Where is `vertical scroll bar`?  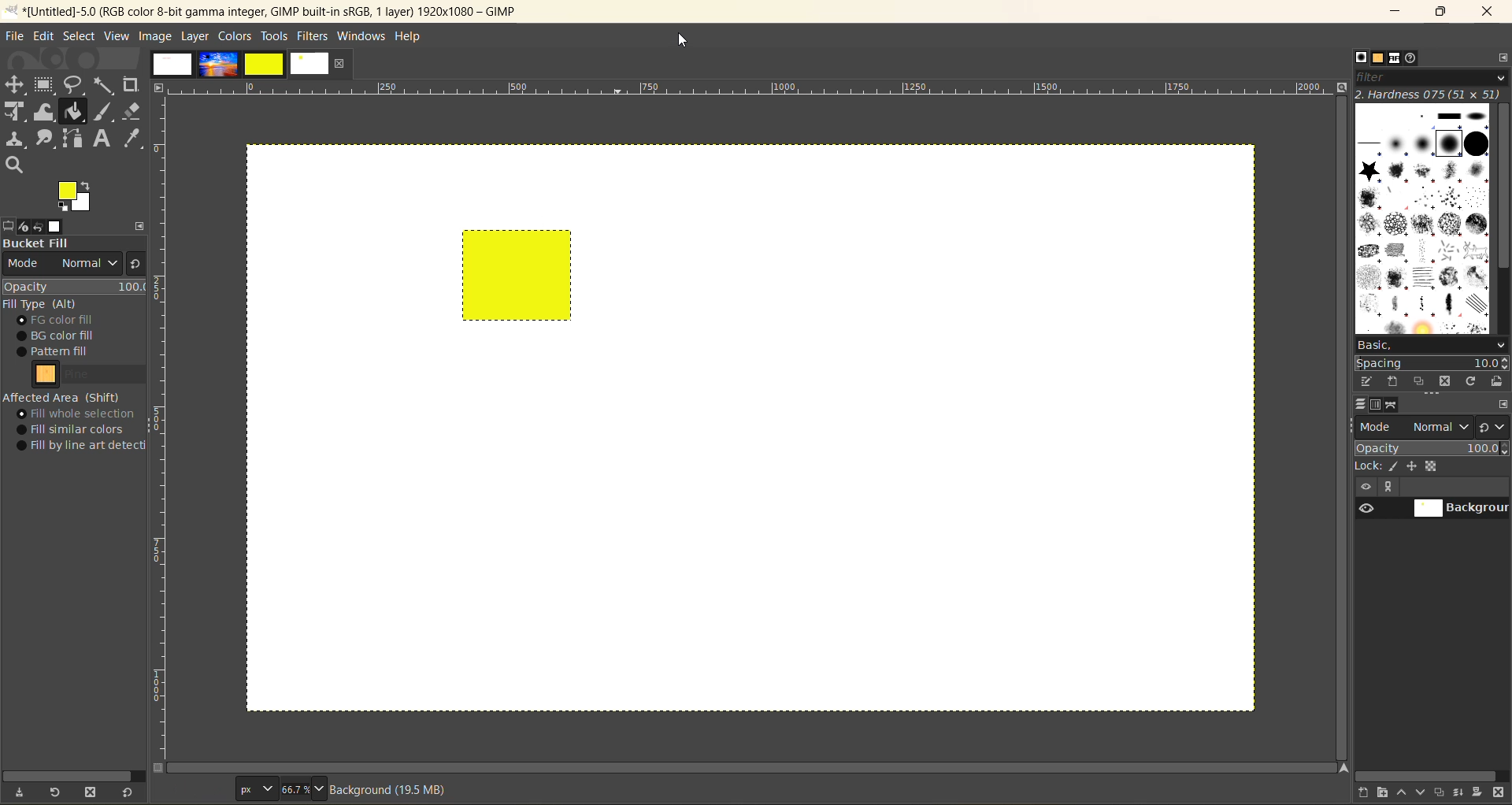
vertical scroll bar is located at coordinates (1336, 402).